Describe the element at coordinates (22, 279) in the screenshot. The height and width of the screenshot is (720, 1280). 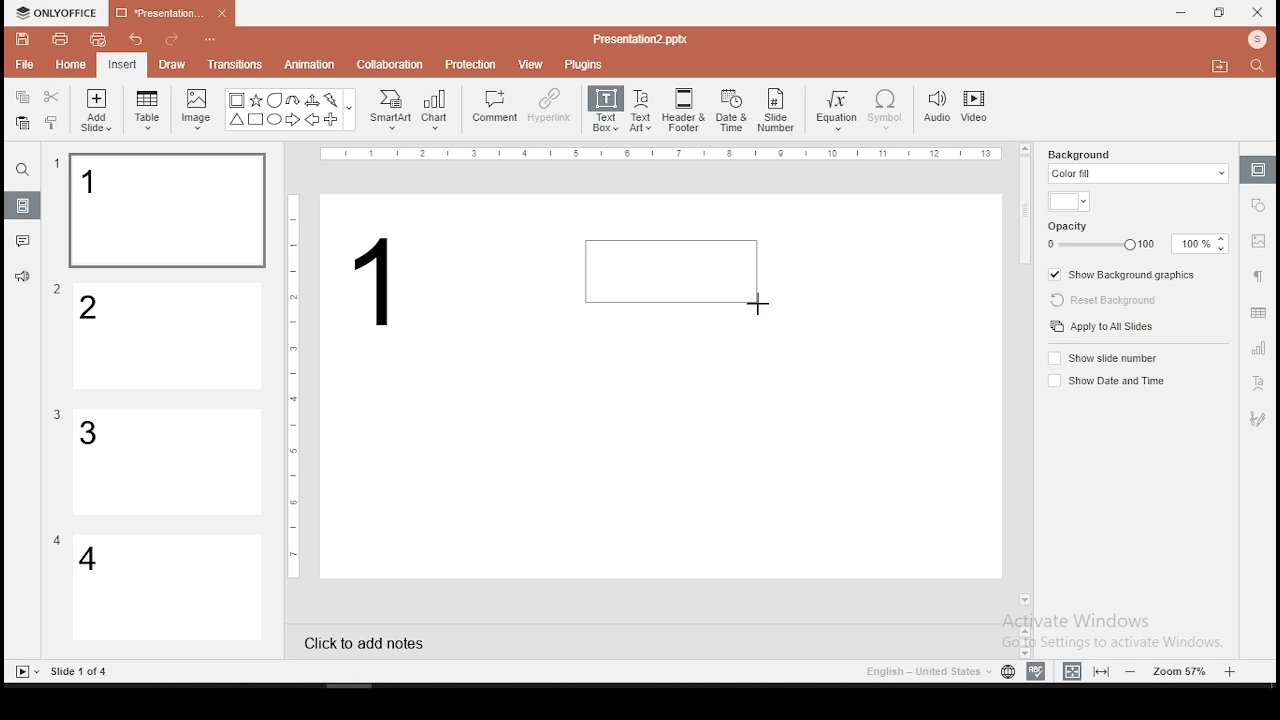
I see `support and feedback` at that location.